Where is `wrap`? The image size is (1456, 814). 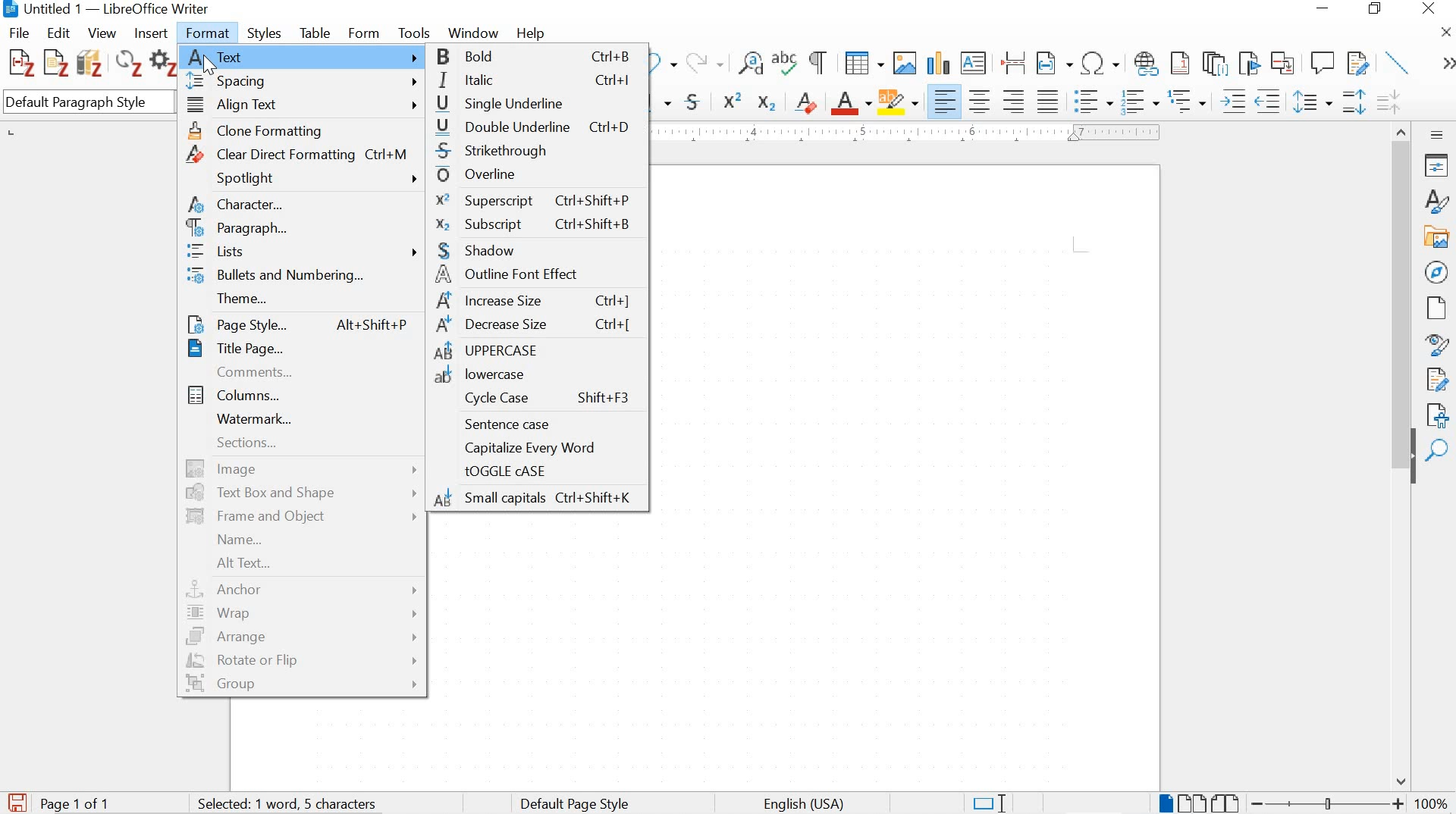 wrap is located at coordinates (306, 614).